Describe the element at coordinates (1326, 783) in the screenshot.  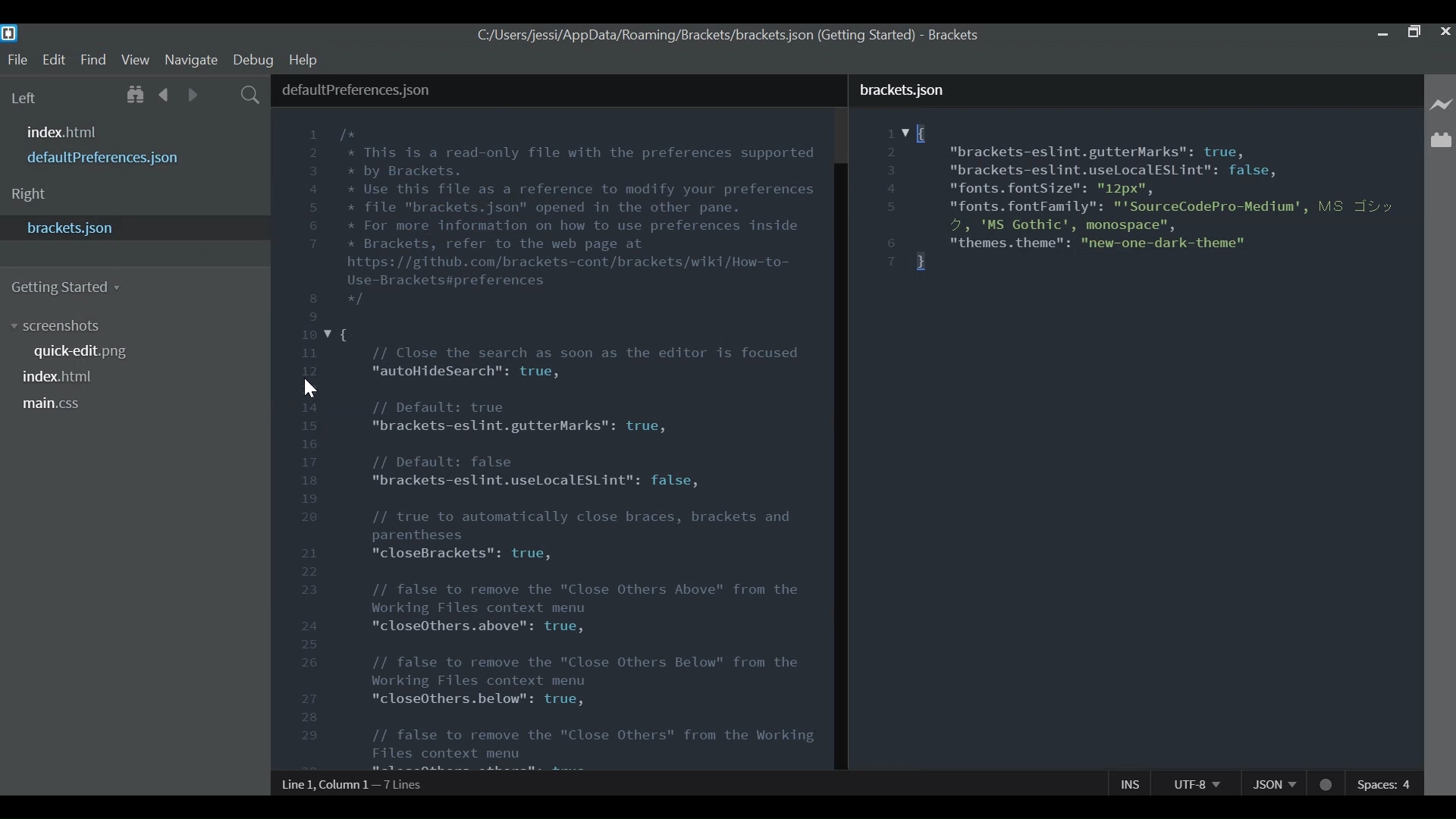
I see `No Linter Available for HTML` at that location.